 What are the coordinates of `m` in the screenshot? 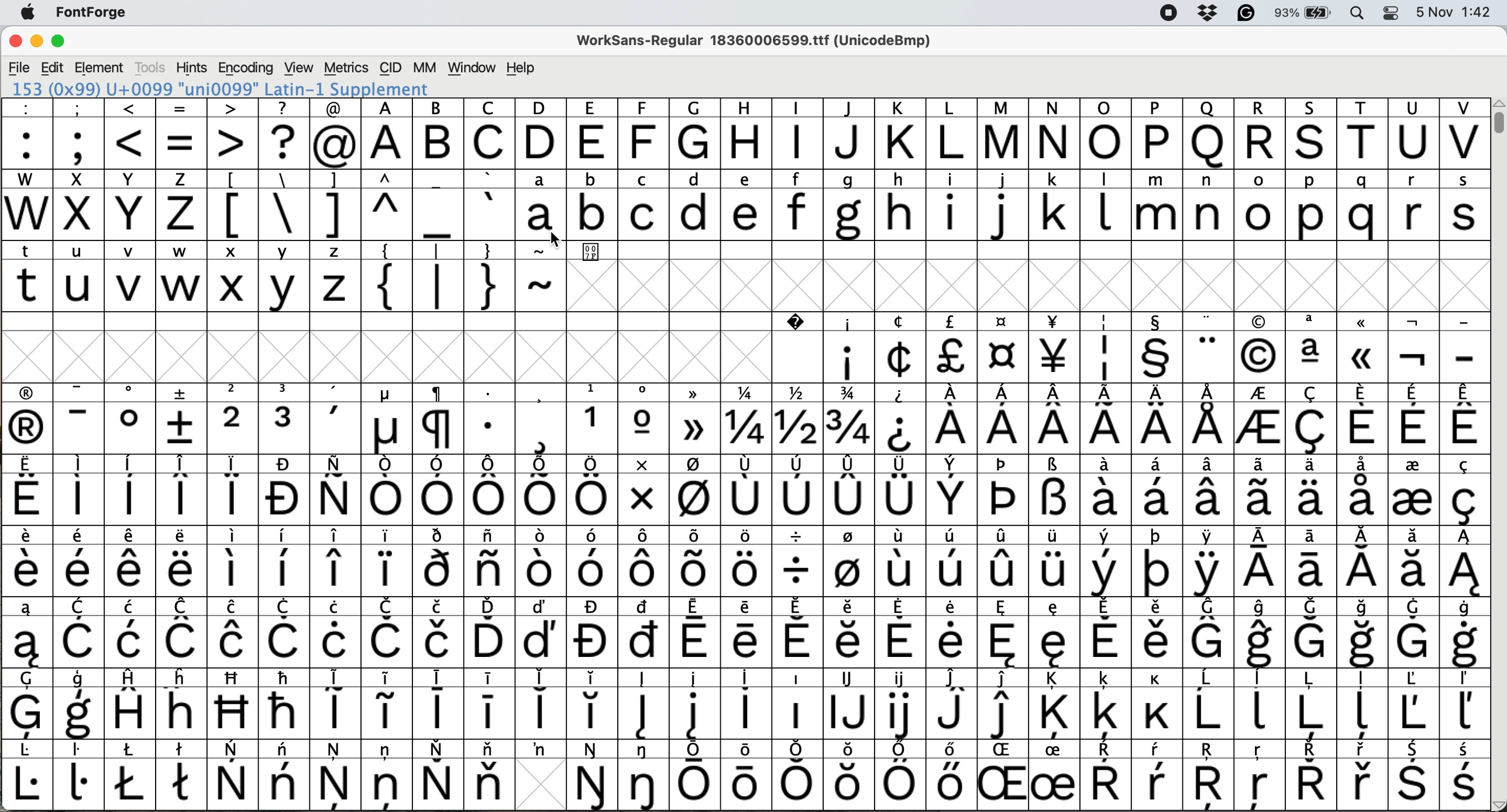 It's located at (1154, 206).